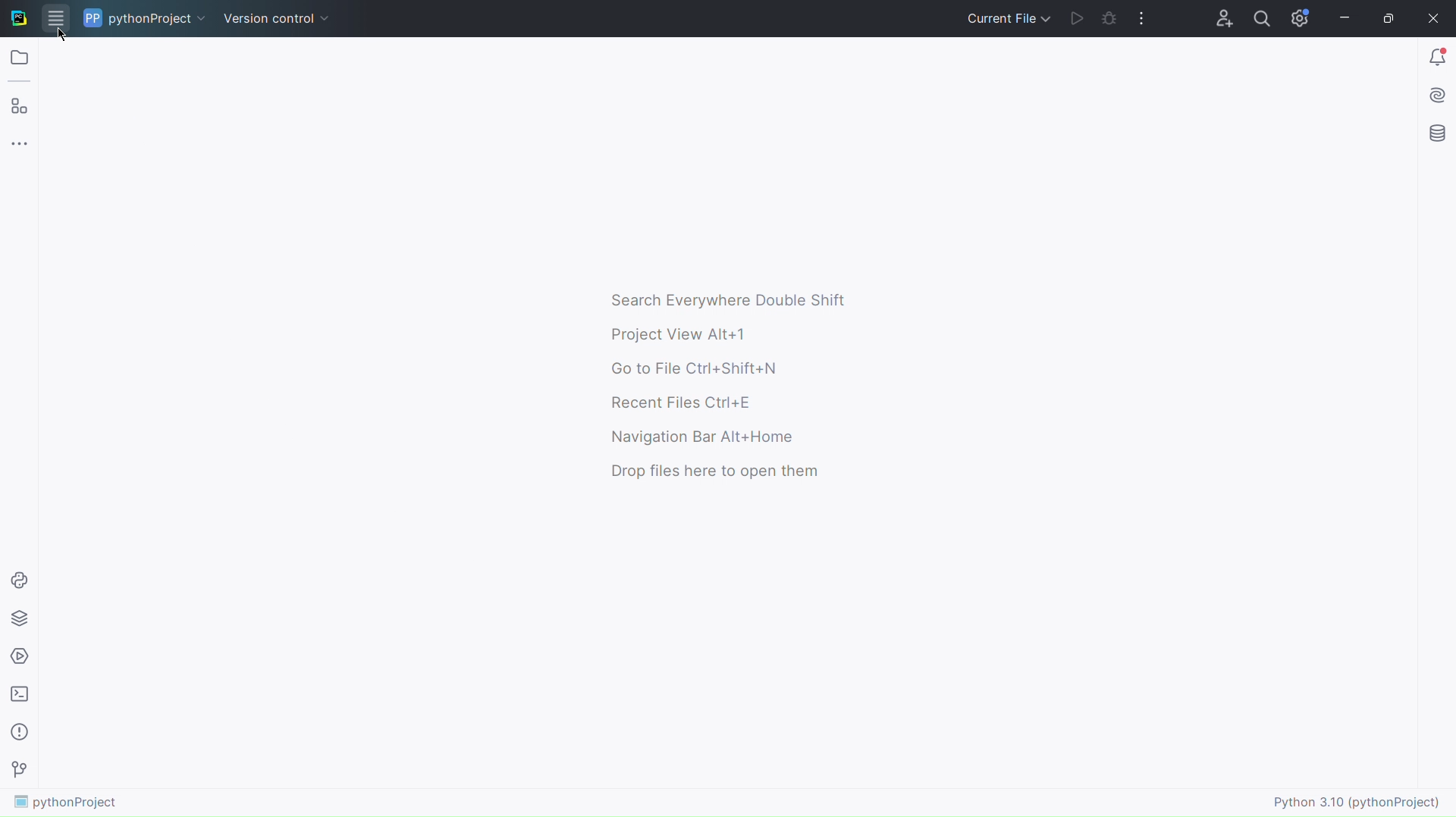 This screenshot has height=817, width=1456. Describe the element at coordinates (18, 58) in the screenshot. I see `Open Folder` at that location.